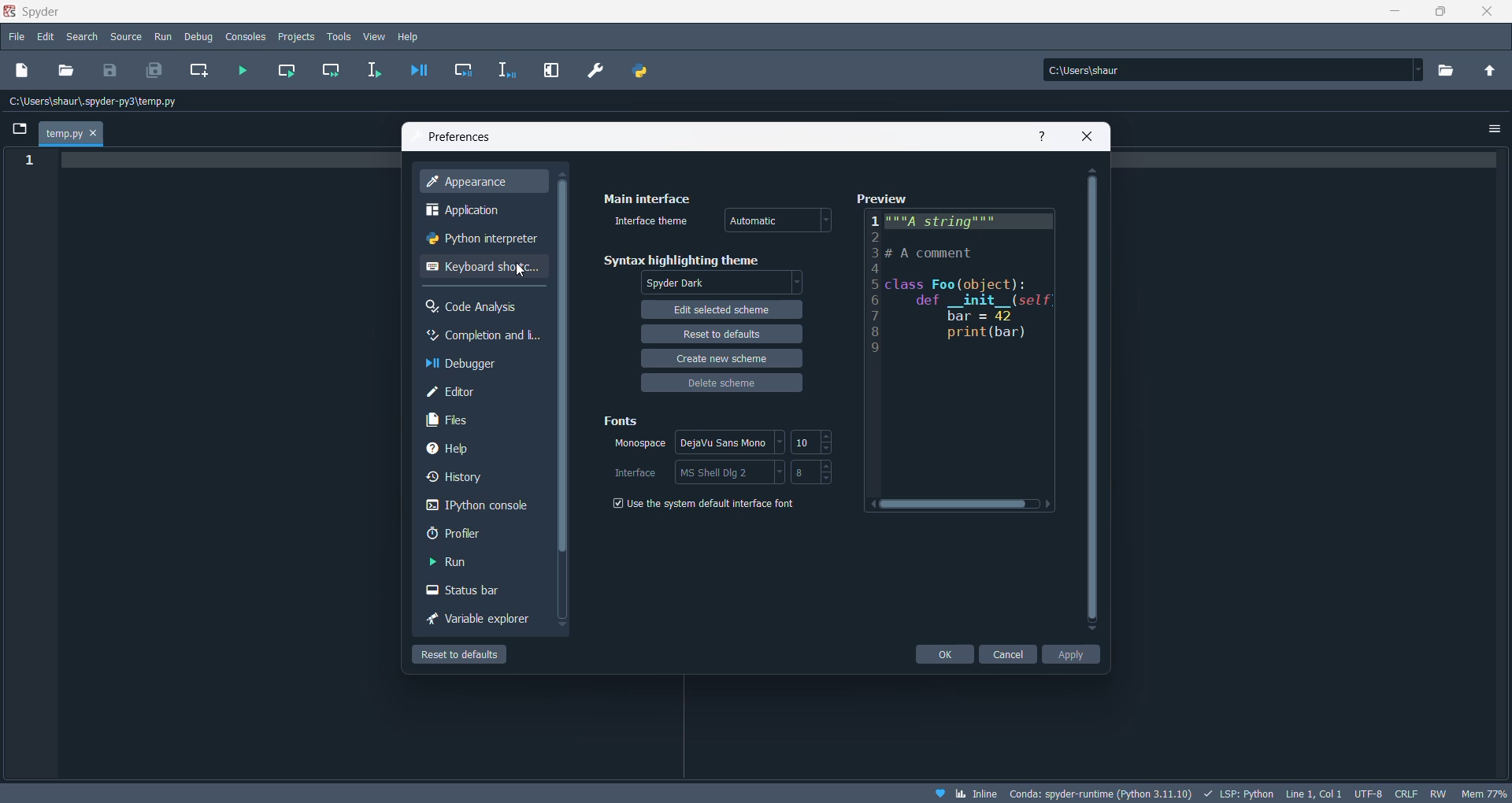  I want to click on edit selected scheme , so click(722, 308).